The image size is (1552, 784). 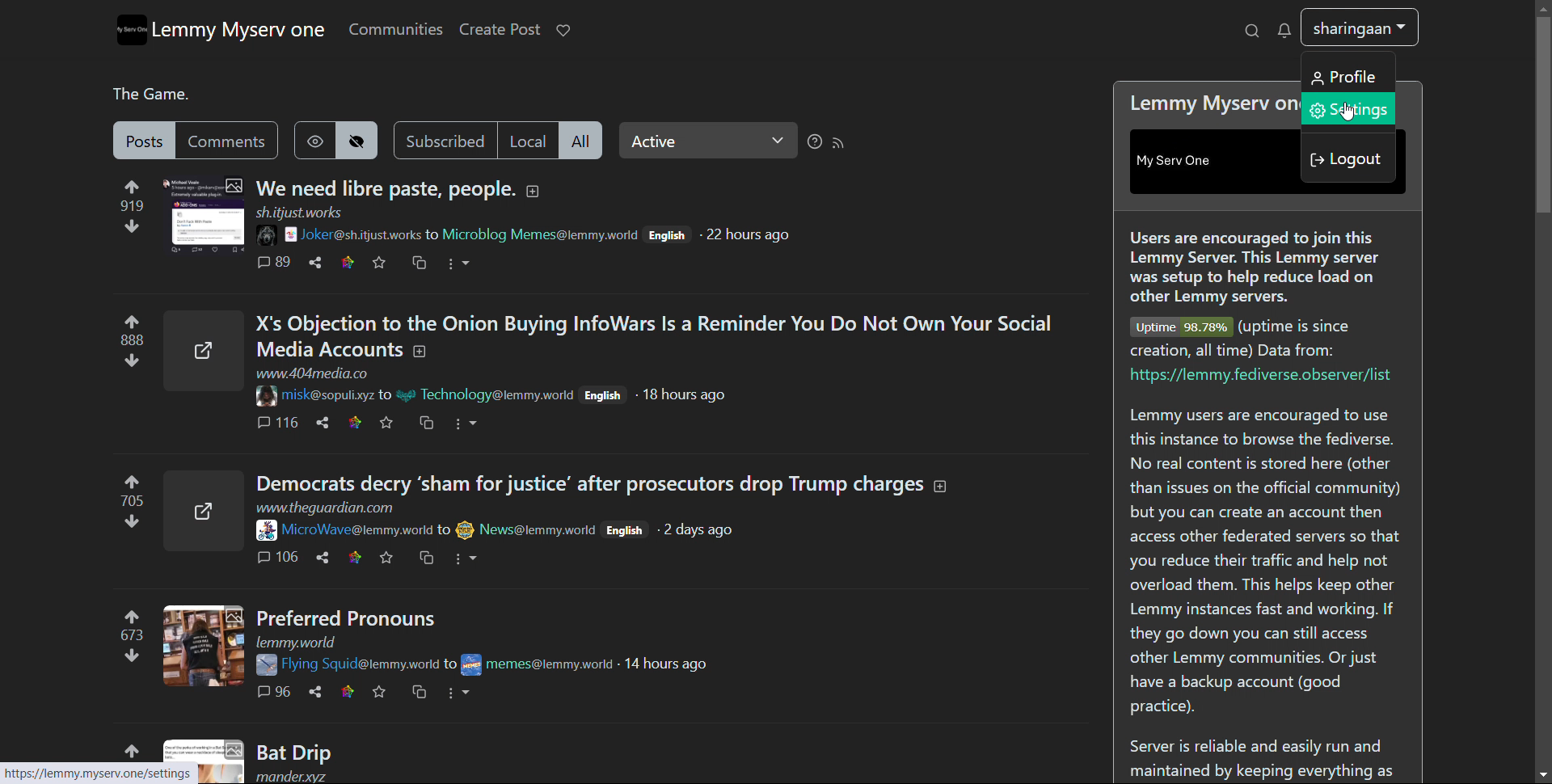 What do you see at coordinates (541, 231) in the screenshot?
I see `poster username` at bounding box center [541, 231].